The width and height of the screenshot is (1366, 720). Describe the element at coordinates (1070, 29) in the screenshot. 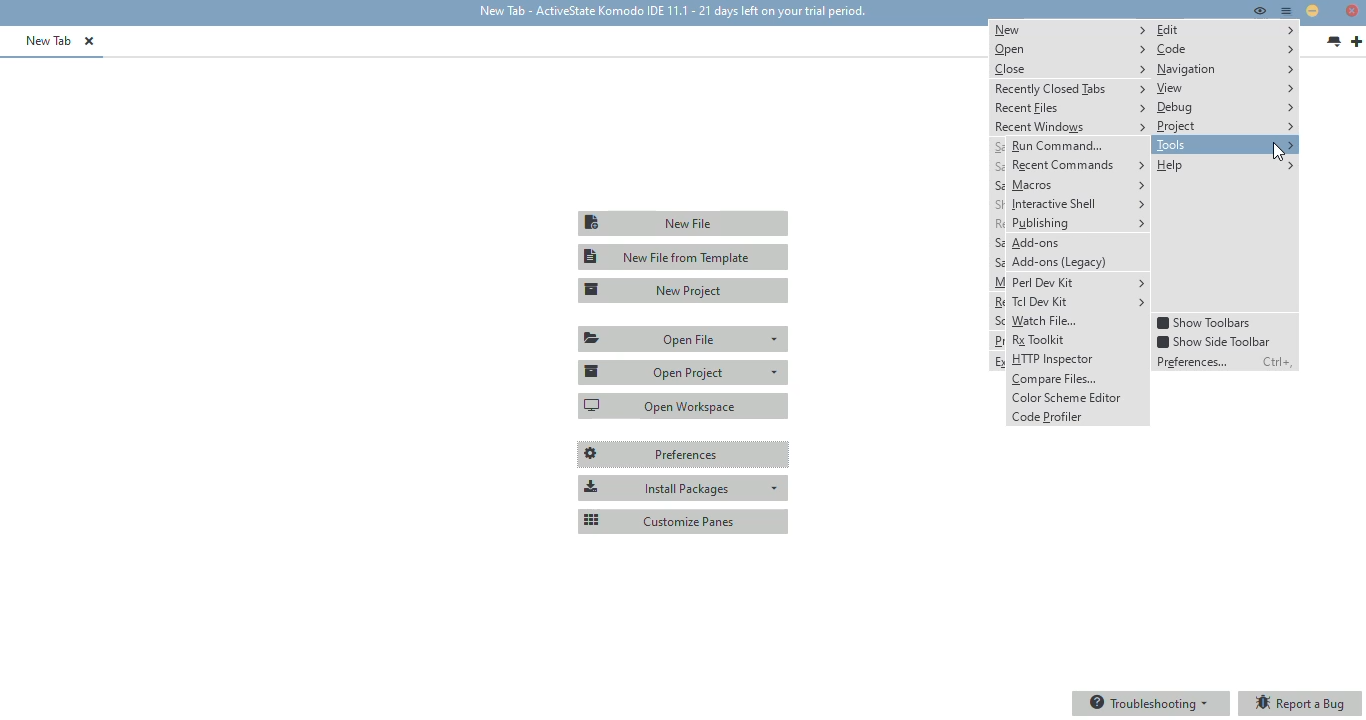

I see `new` at that location.